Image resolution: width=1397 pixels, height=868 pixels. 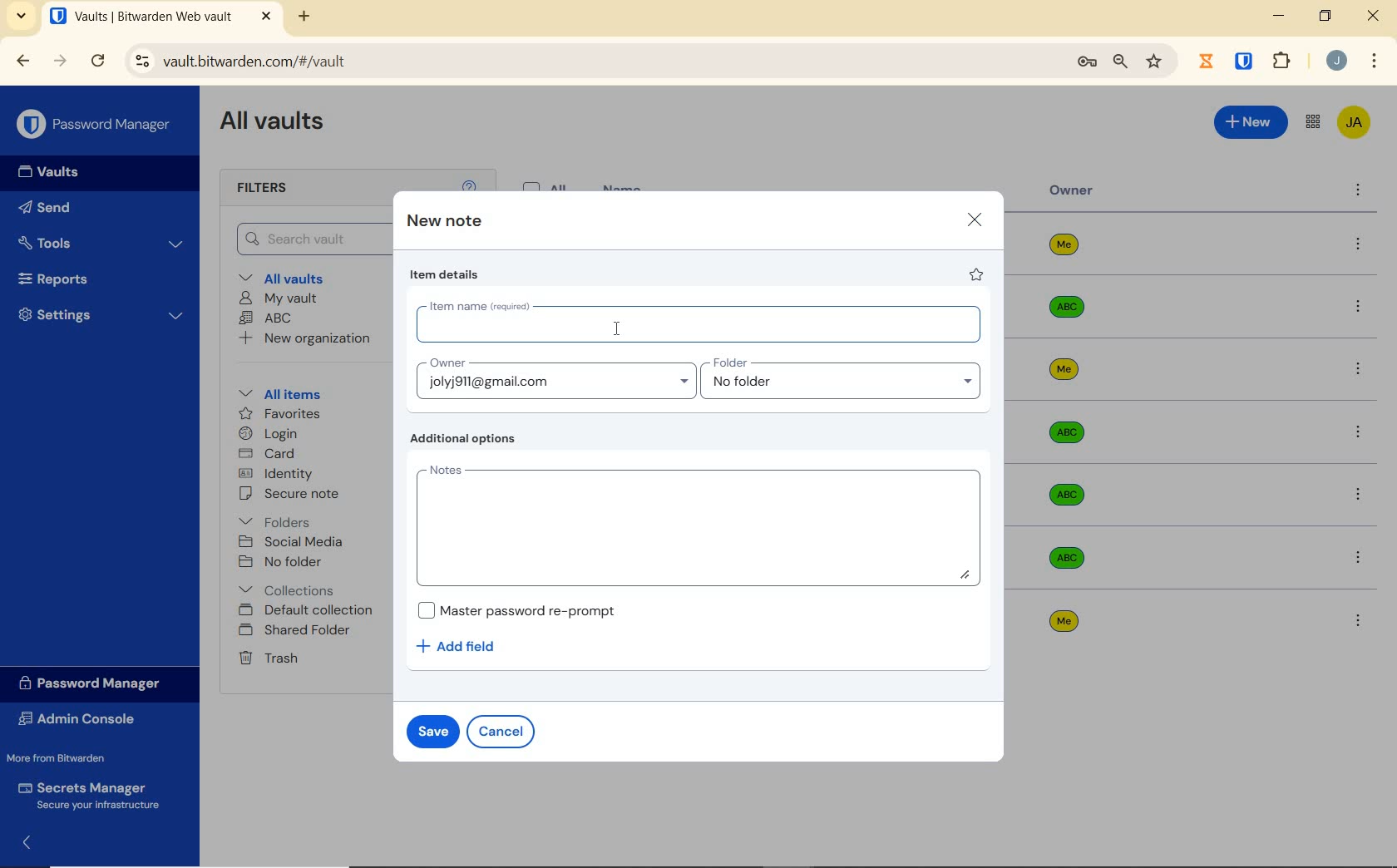 I want to click on close, so click(x=975, y=219).